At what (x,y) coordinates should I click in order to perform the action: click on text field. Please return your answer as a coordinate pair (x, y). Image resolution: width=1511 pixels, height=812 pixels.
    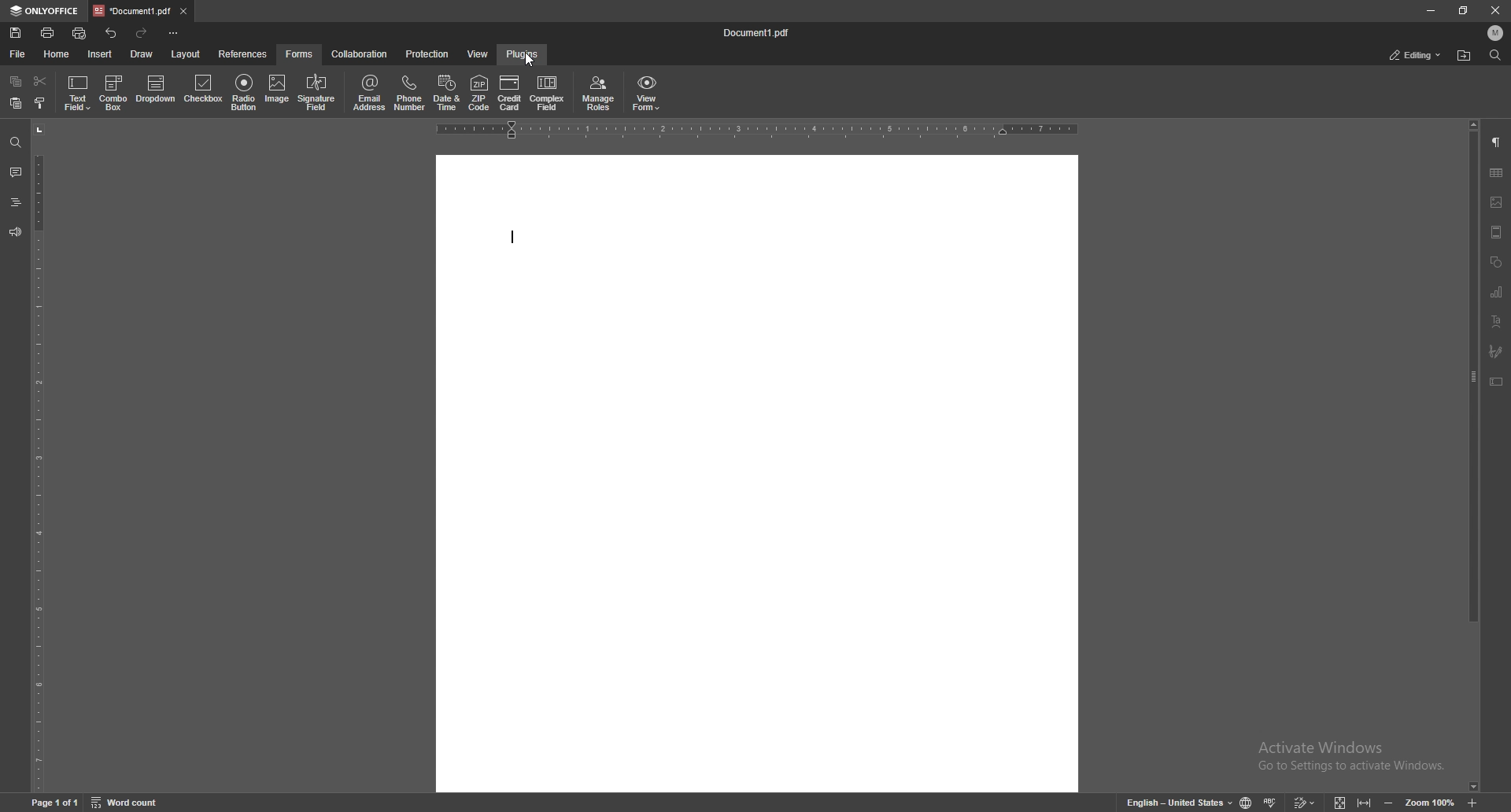
    Looking at the image, I should click on (78, 92).